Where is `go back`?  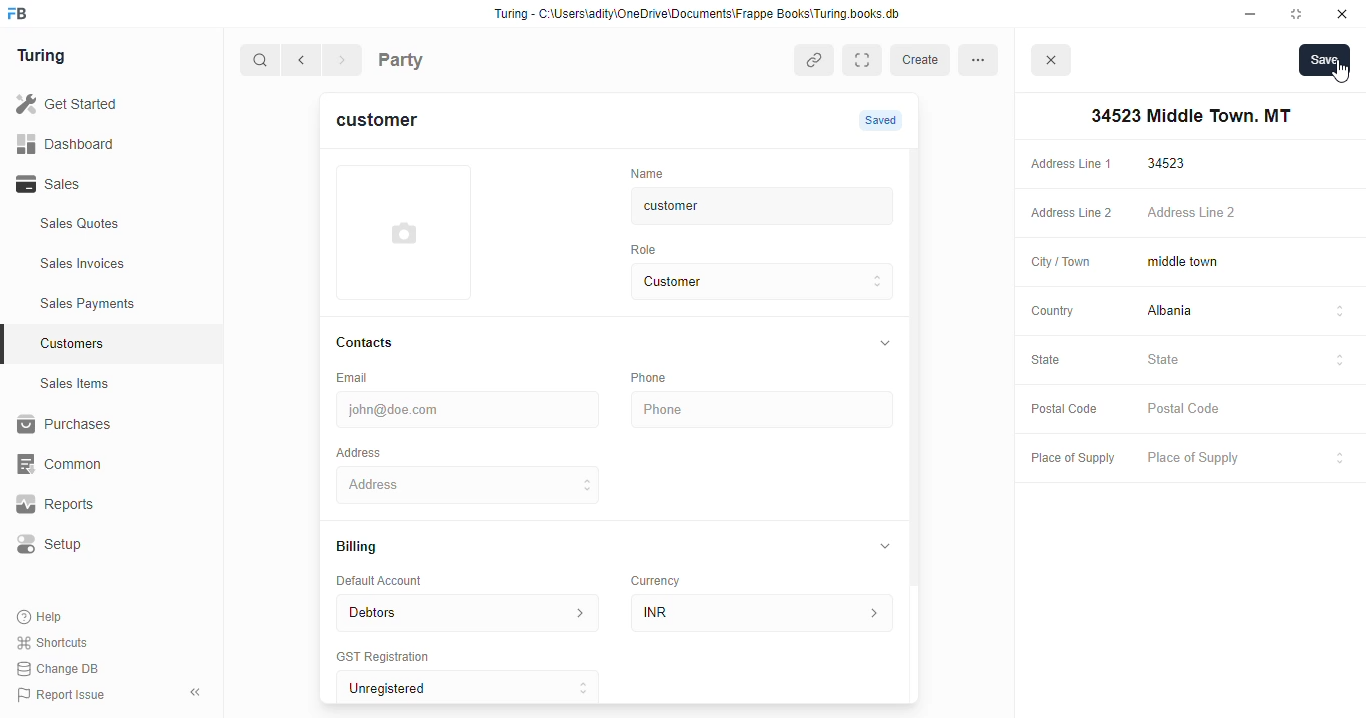 go back is located at coordinates (305, 61).